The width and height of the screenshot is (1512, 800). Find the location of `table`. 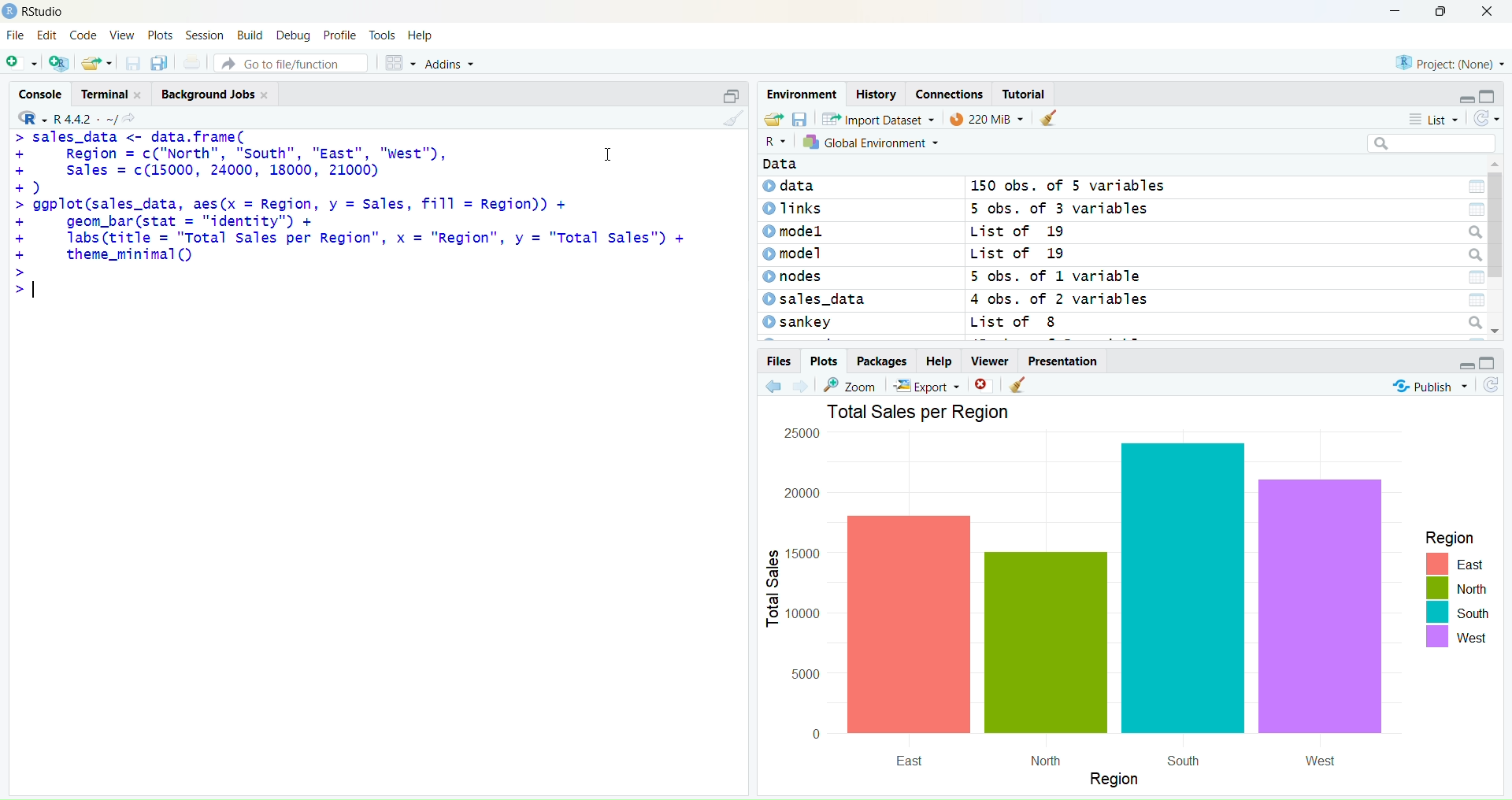

table is located at coordinates (1468, 277).